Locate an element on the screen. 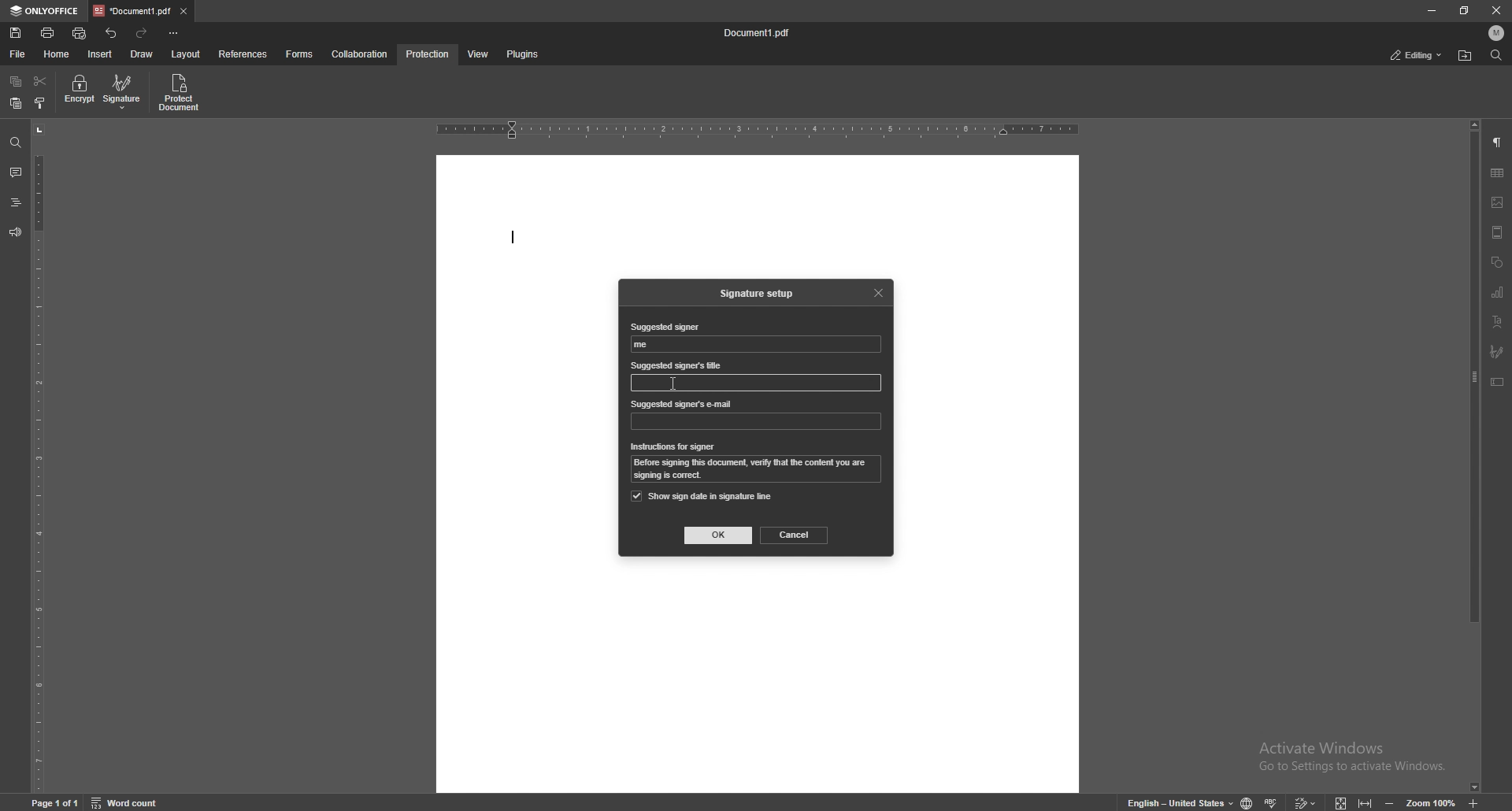  page is located at coordinates (57, 802).